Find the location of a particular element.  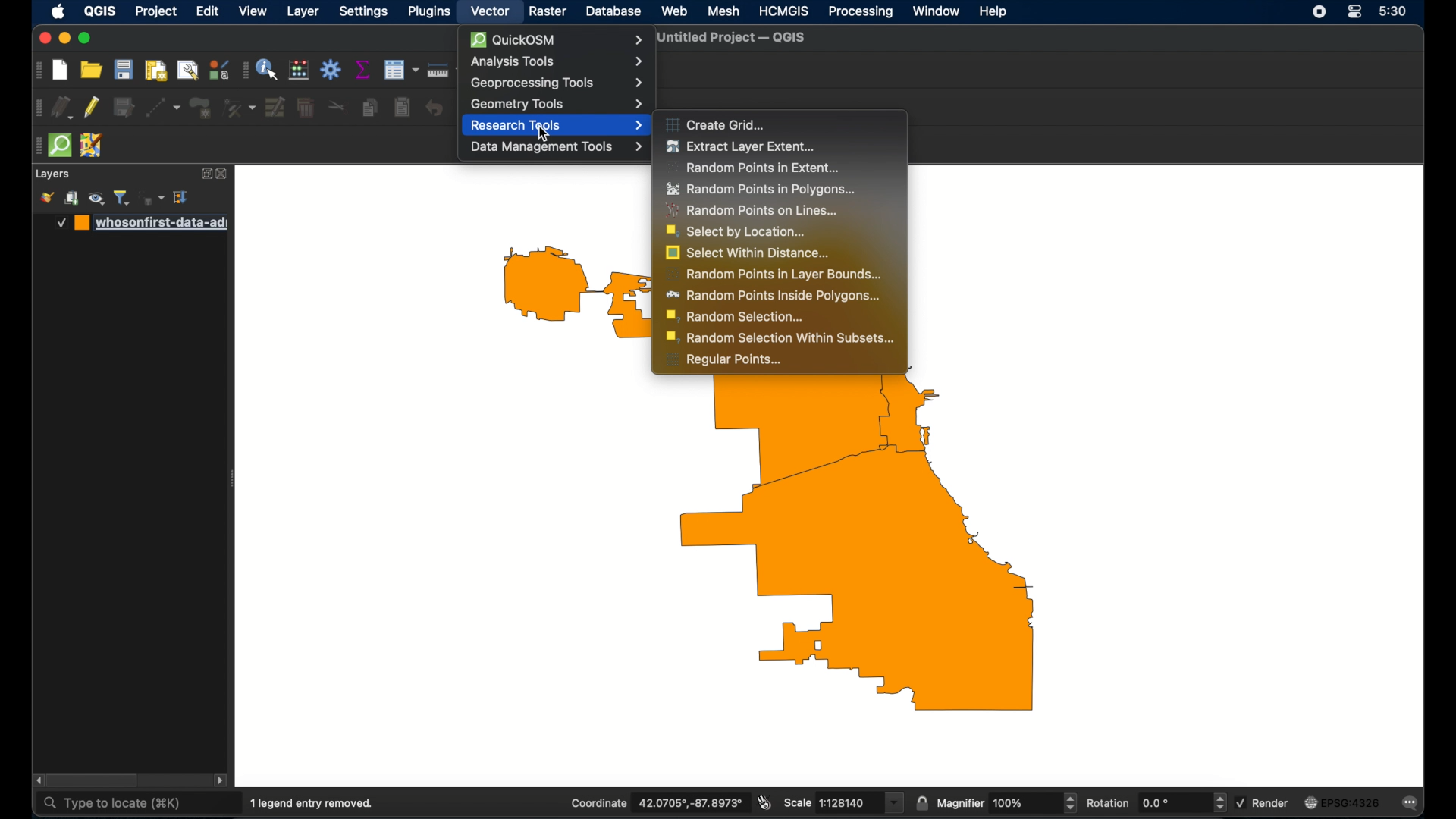

open field  calculator is located at coordinates (300, 71).